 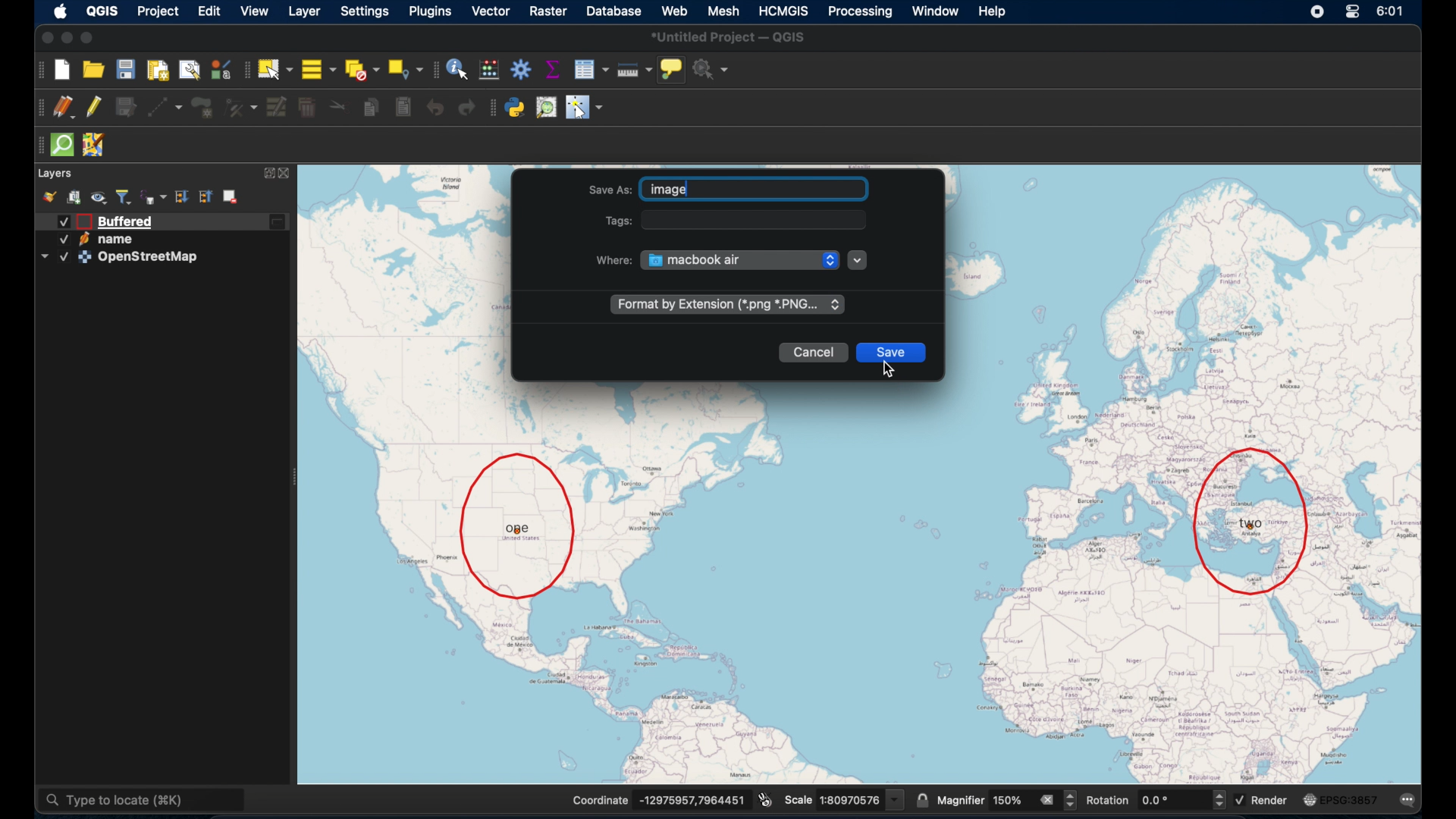 I want to click on select all features, so click(x=317, y=68).